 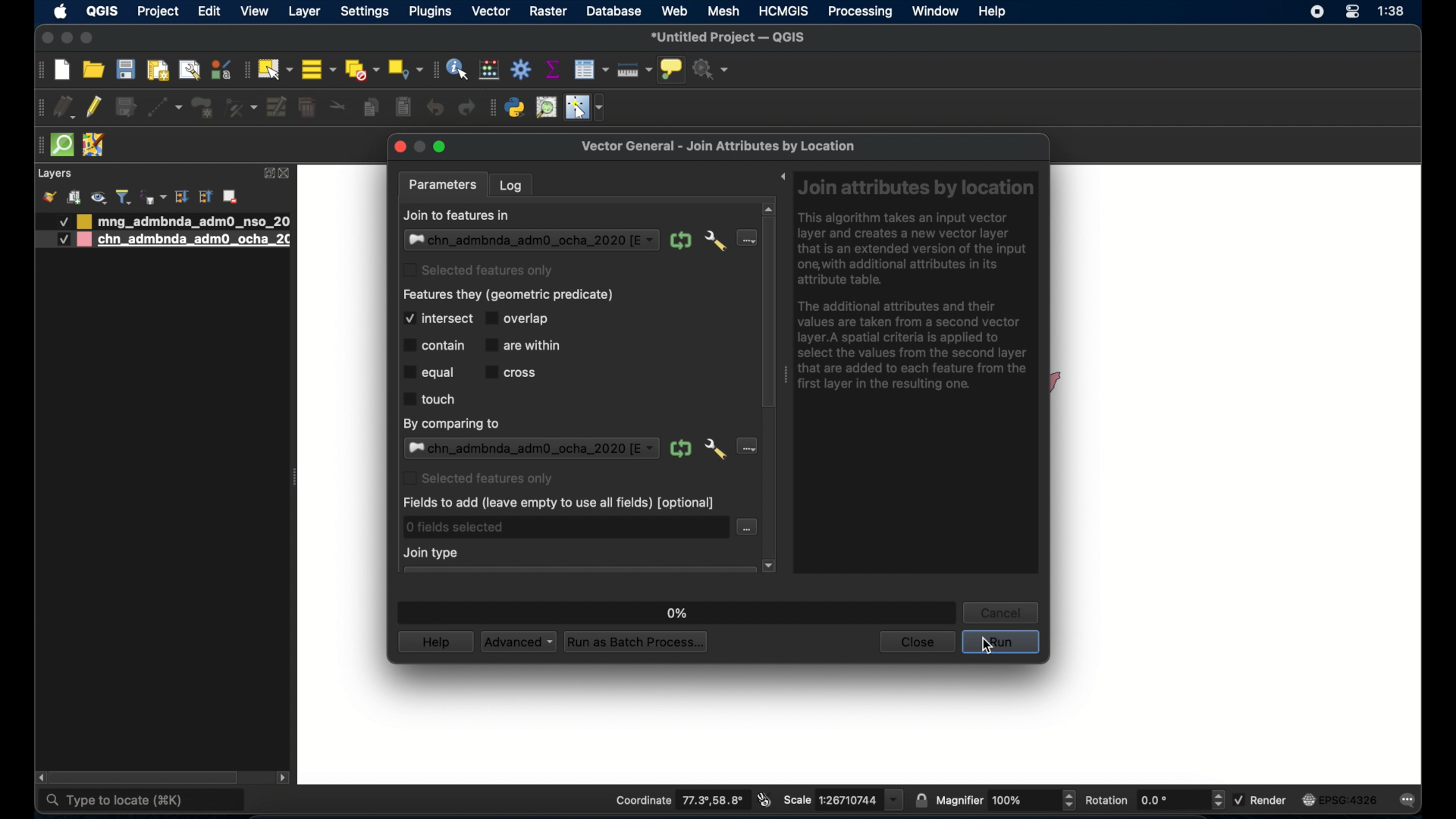 I want to click on expand, so click(x=266, y=173).